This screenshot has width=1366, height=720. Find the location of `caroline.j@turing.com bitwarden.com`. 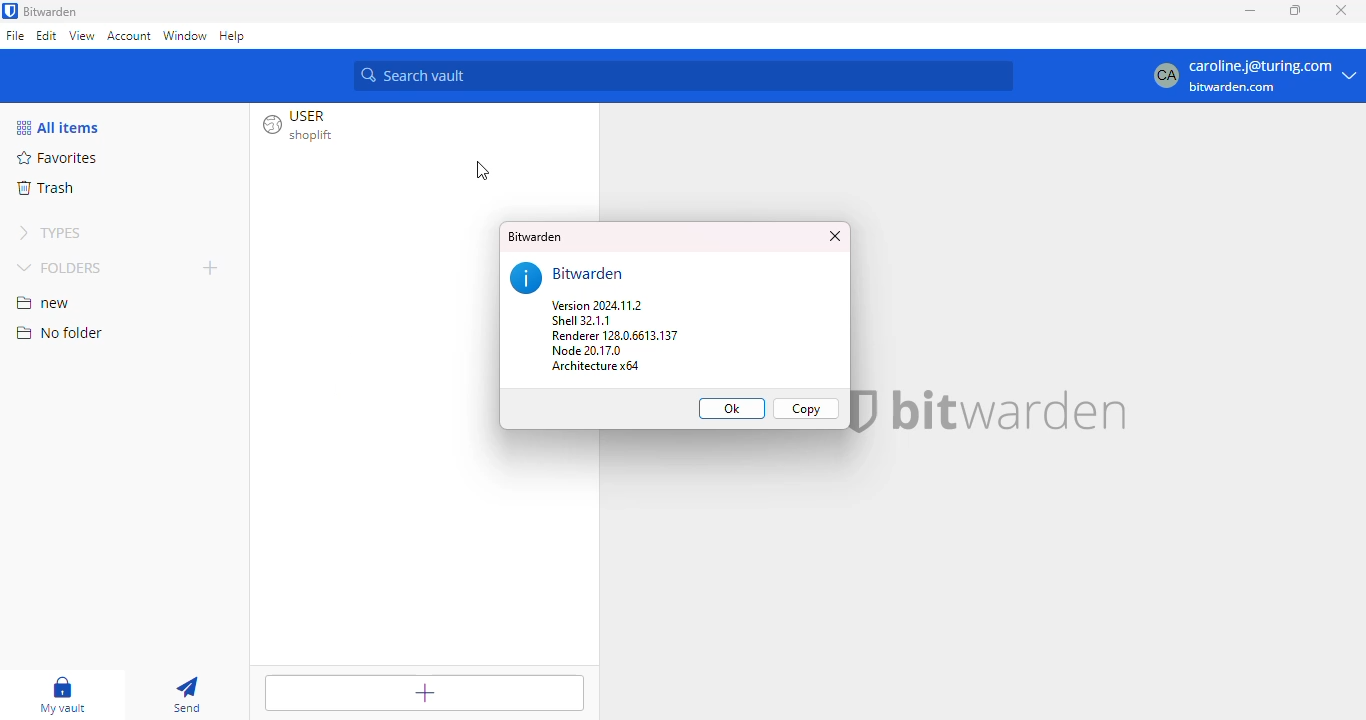

caroline.j@turing.com bitwarden.com is located at coordinates (1272, 77).